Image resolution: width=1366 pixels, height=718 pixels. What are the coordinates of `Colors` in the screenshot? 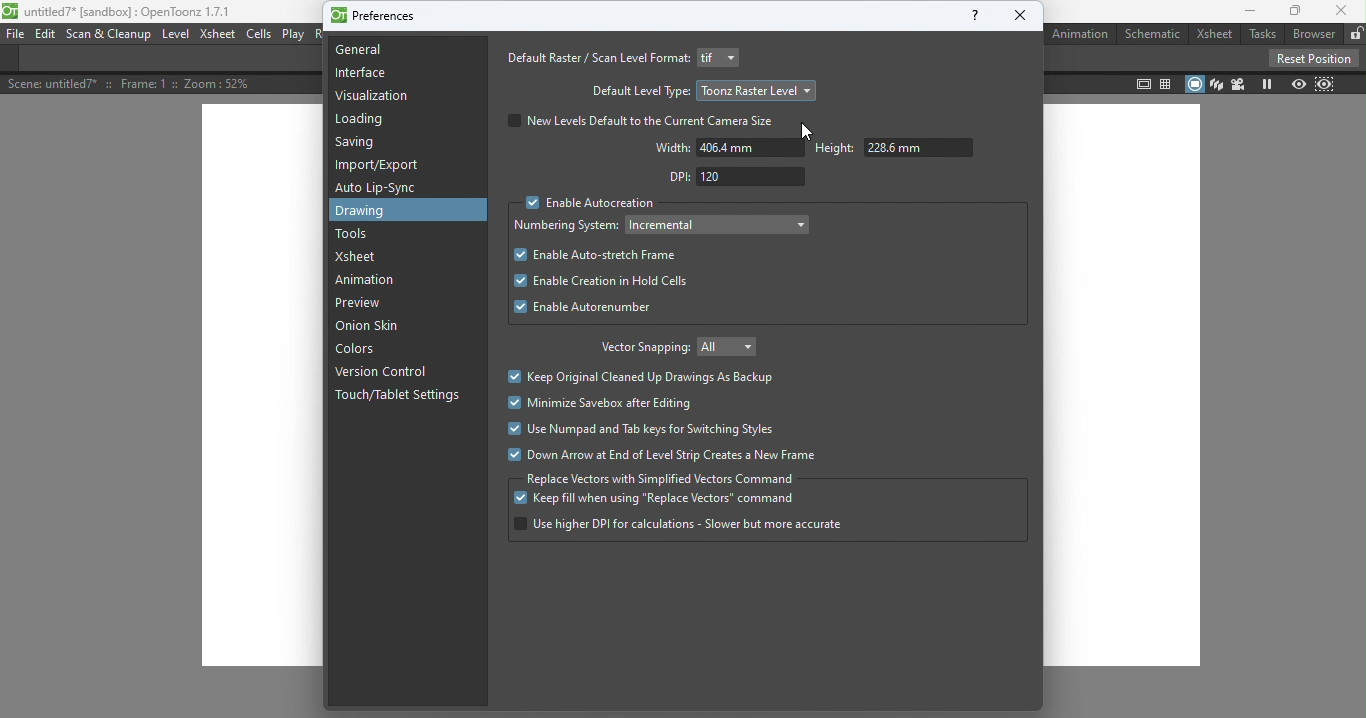 It's located at (363, 351).